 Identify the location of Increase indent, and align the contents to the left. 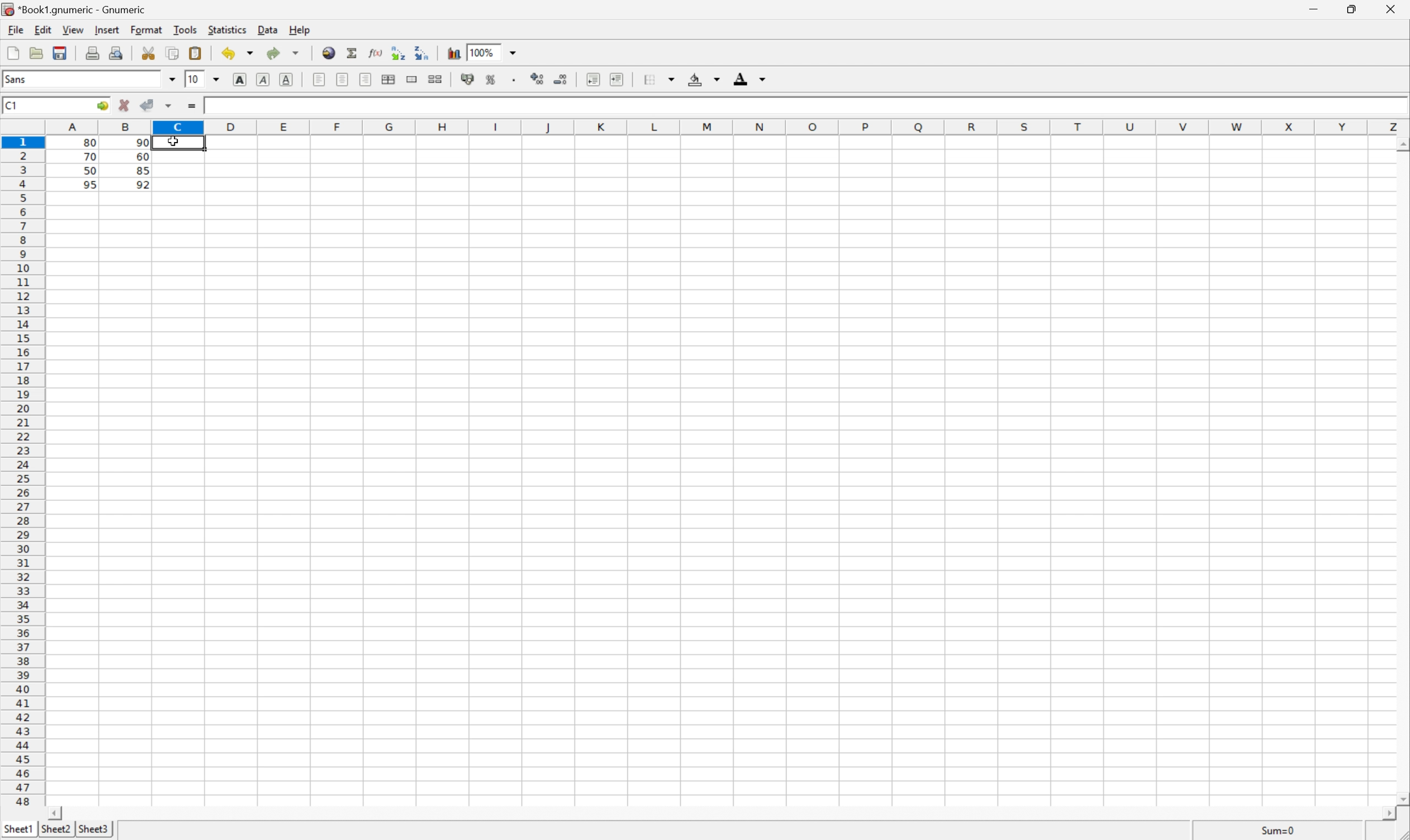
(593, 78).